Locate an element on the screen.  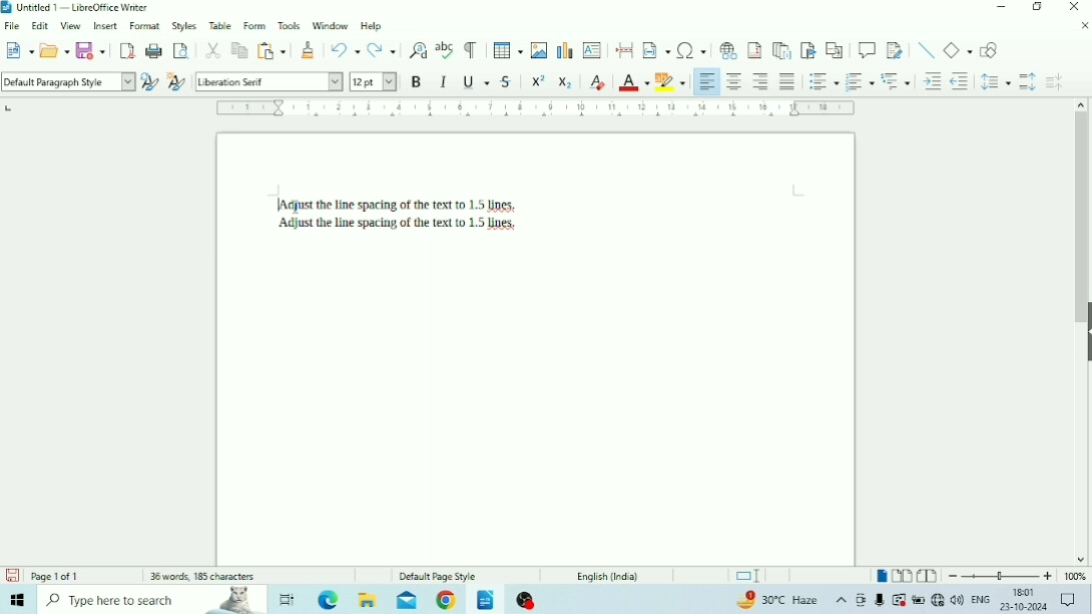
Default Page Style is located at coordinates (438, 575).